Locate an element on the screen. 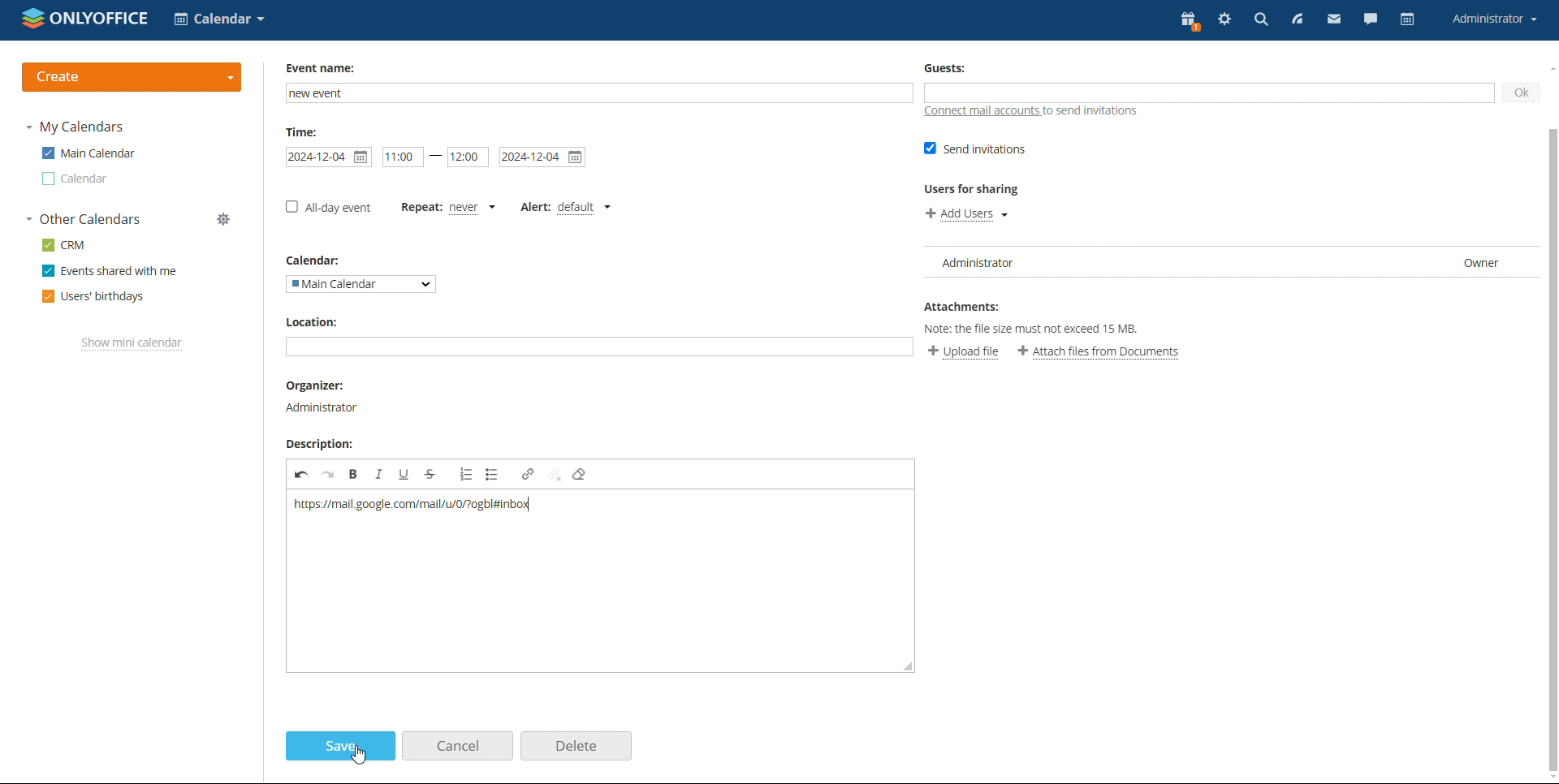  underline is located at coordinates (405, 475).